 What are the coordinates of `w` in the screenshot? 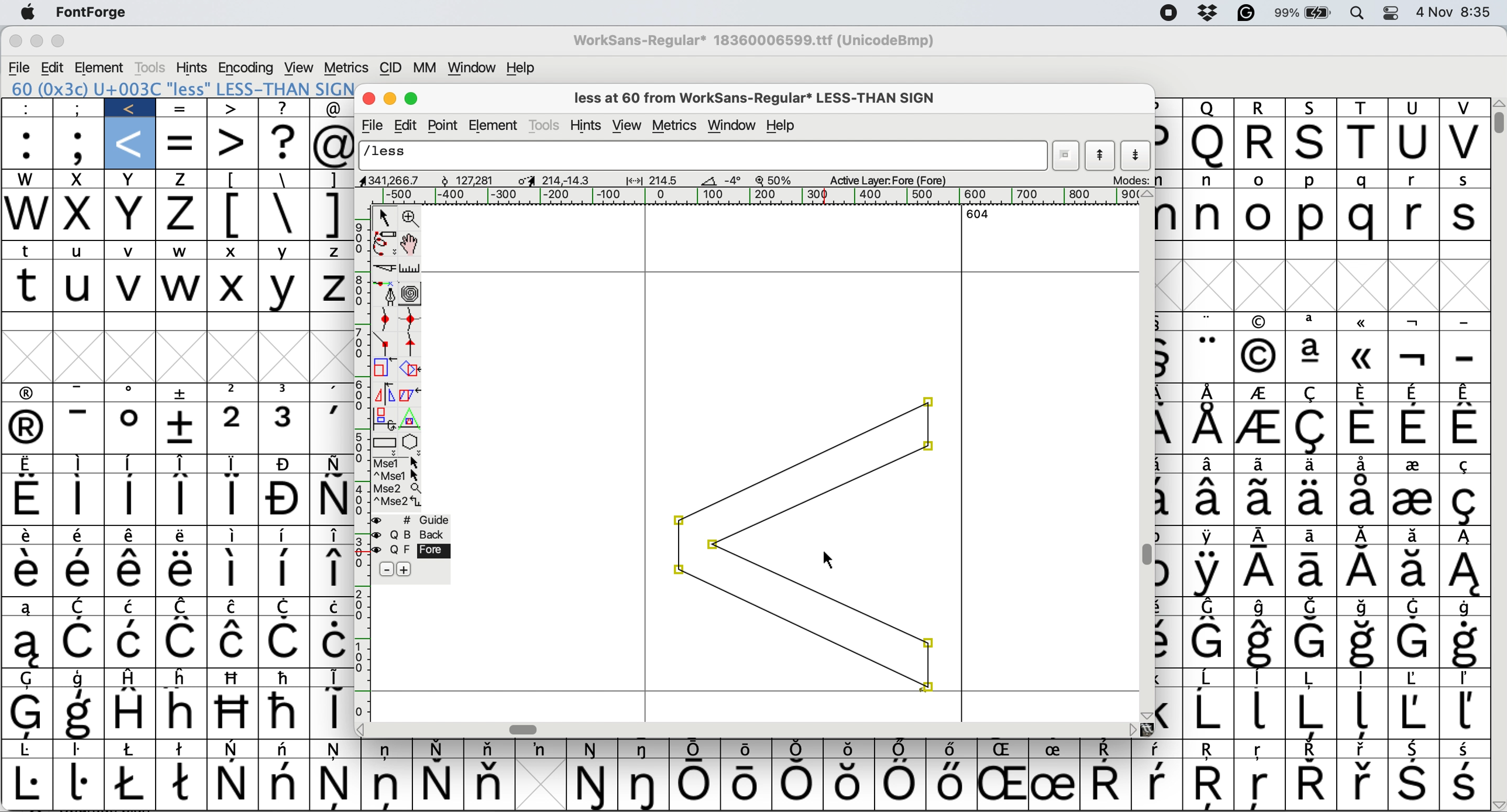 It's located at (27, 178).